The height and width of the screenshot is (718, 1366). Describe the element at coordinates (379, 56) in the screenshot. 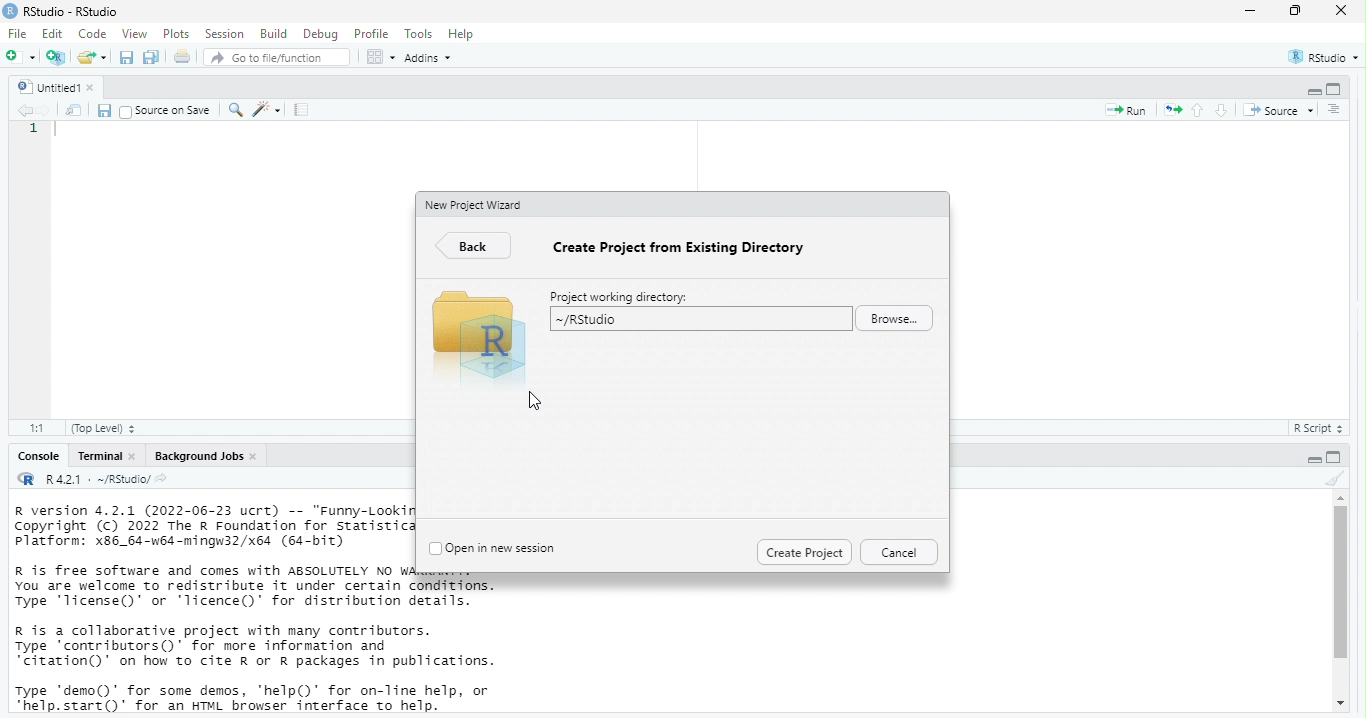

I see `workspace panes` at that location.